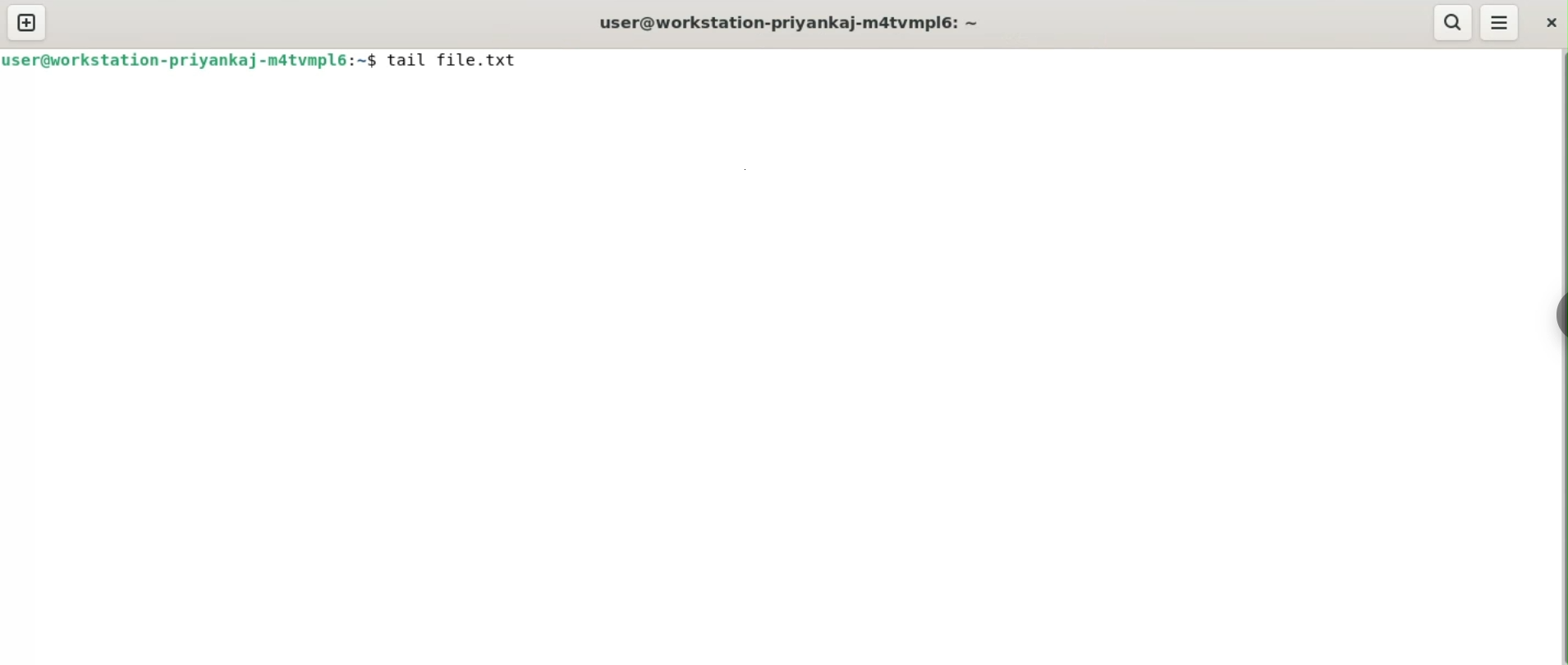 The width and height of the screenshot is (1568, 665). What do you see at coordinates (795, 20) in the screenshot?
I see `terminal title : user@workstation-priyankaj-m4tvmpl6:~` at bounding box center [795, 20].